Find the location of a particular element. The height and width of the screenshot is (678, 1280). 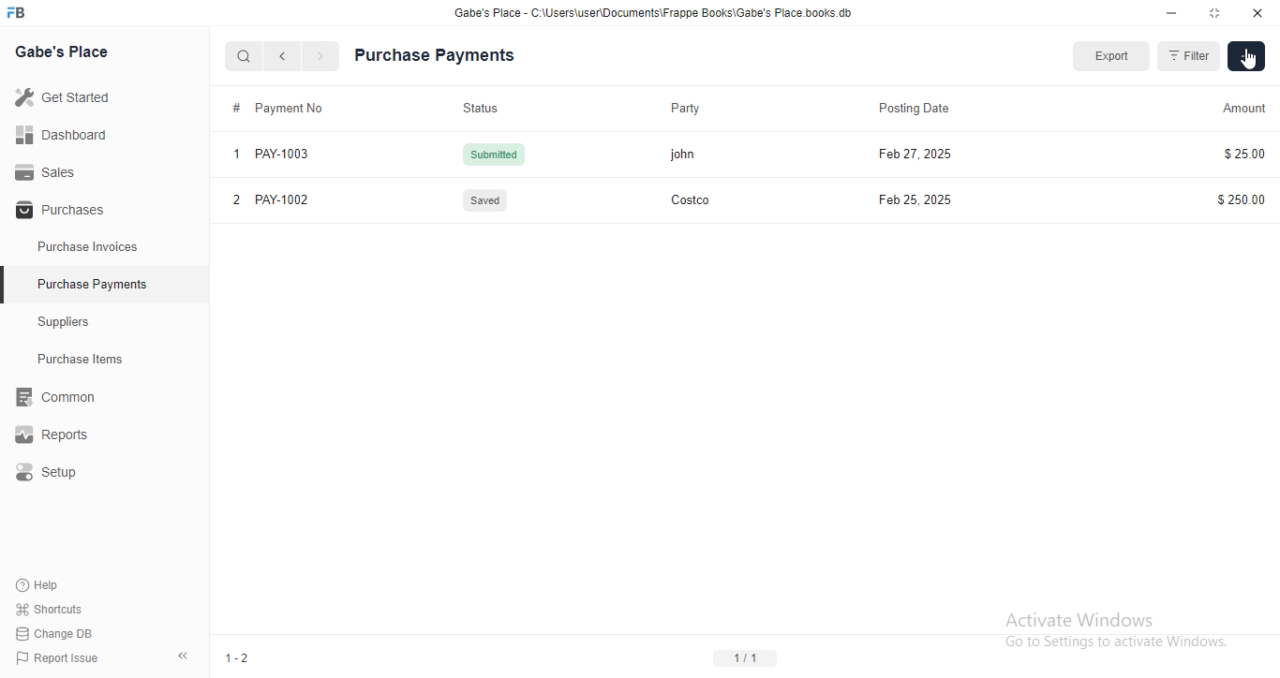

Setup is located at coordinates (61, 473).